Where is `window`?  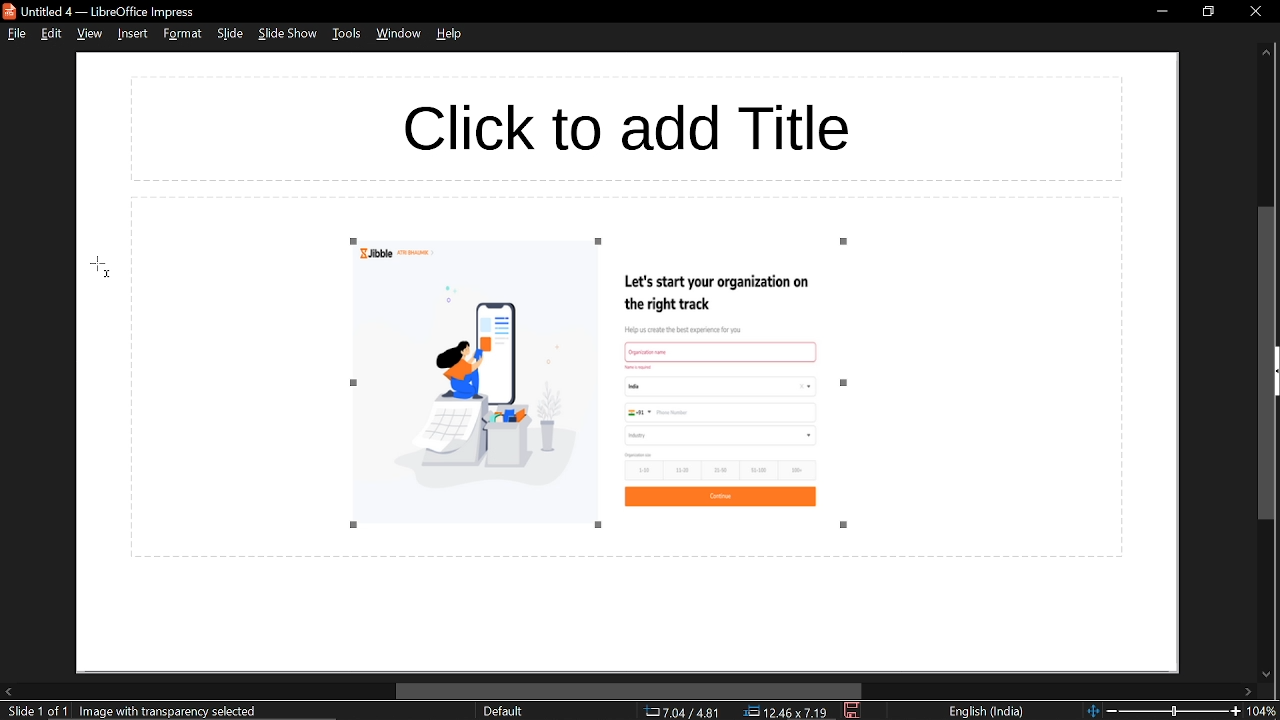 window is located at coordinates (397, 36).